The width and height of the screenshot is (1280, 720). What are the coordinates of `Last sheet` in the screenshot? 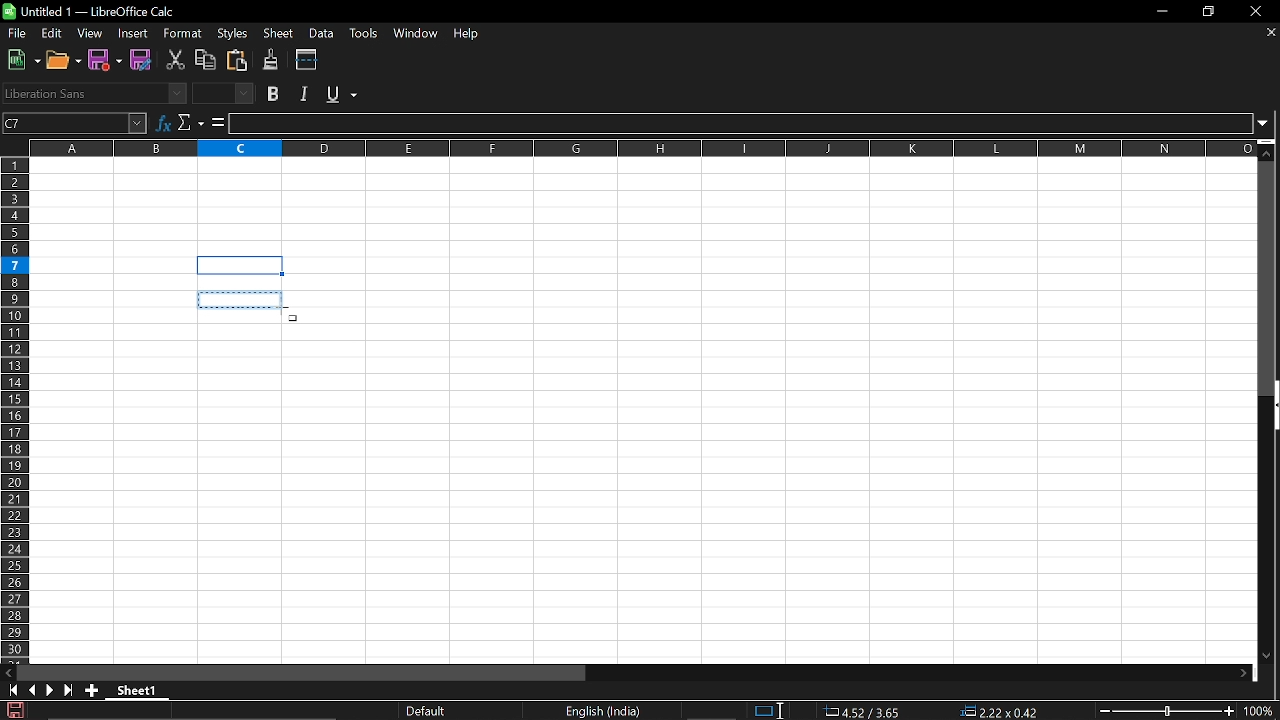 It's located at (69, 690).